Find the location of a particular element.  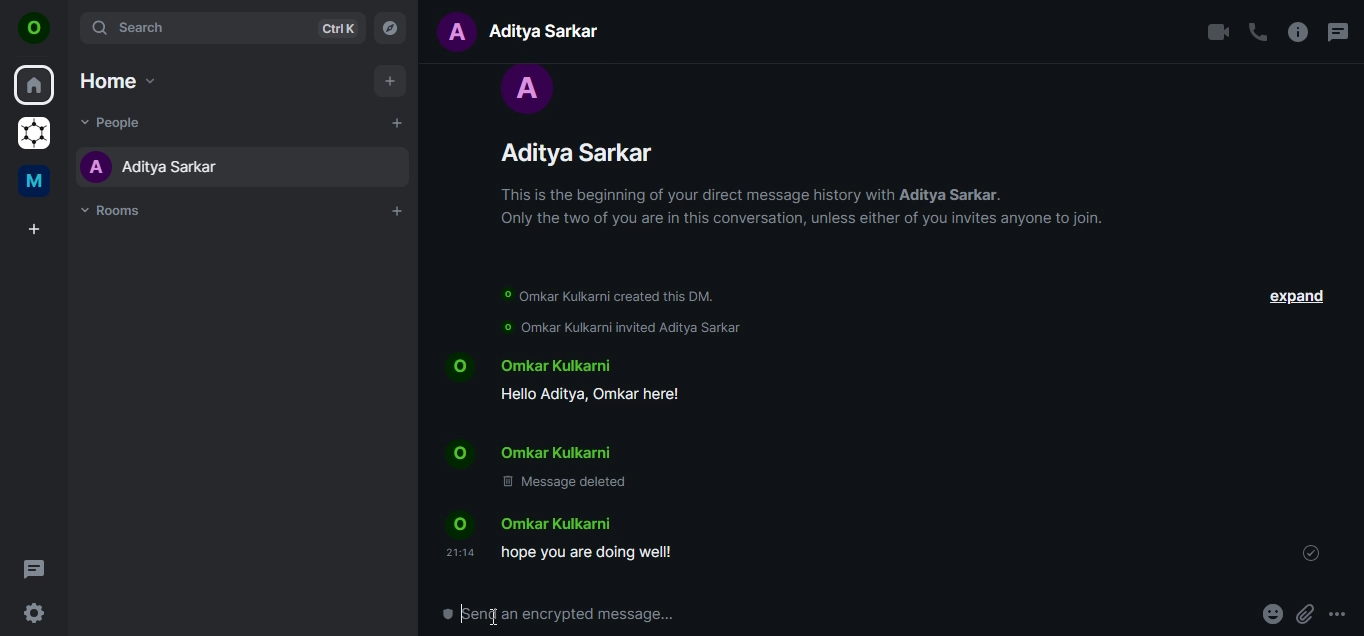

more is located at coordinates (1340, 613).